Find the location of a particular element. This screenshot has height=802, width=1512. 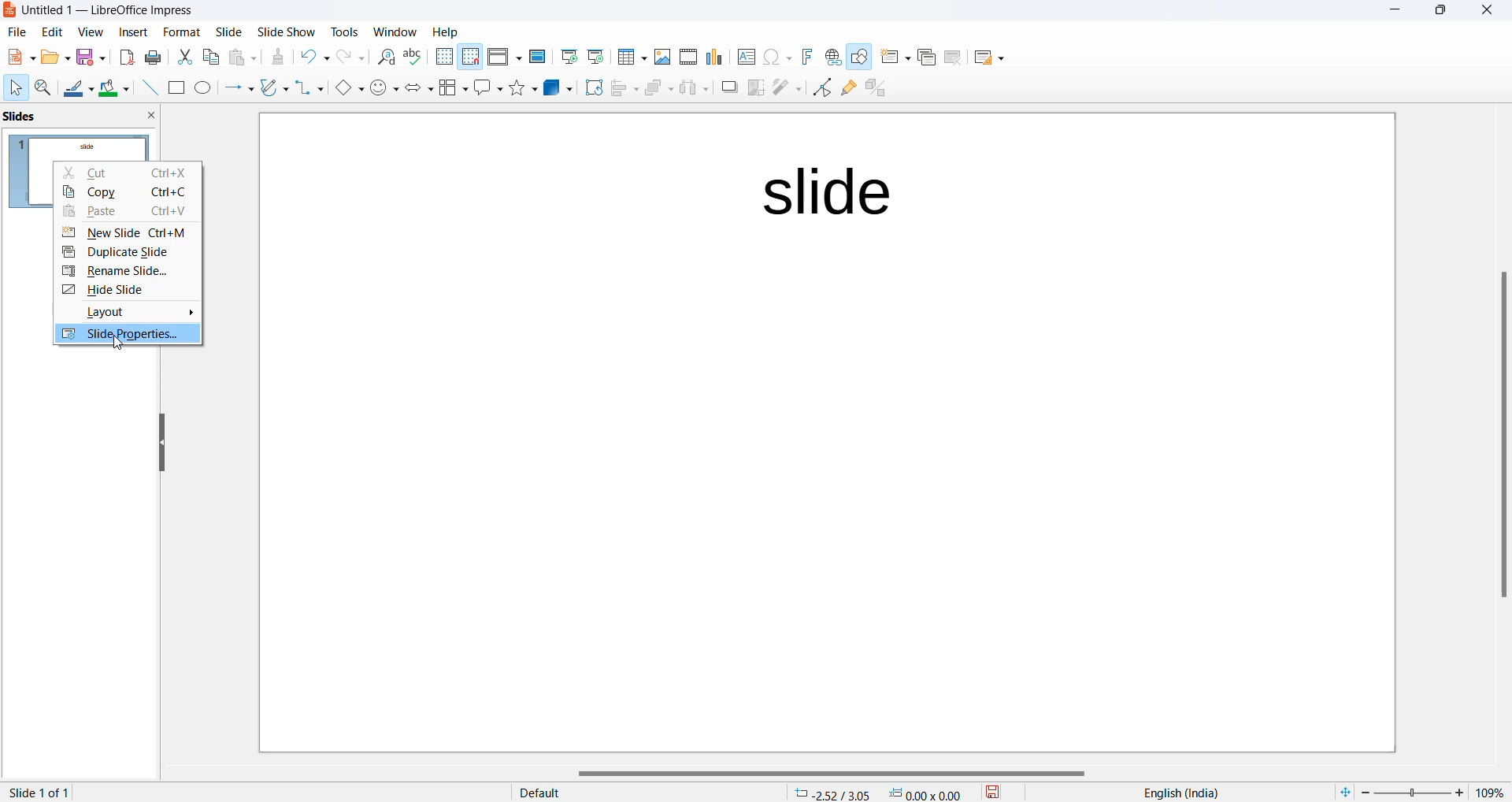

save option is located at coordinates (91, 58).